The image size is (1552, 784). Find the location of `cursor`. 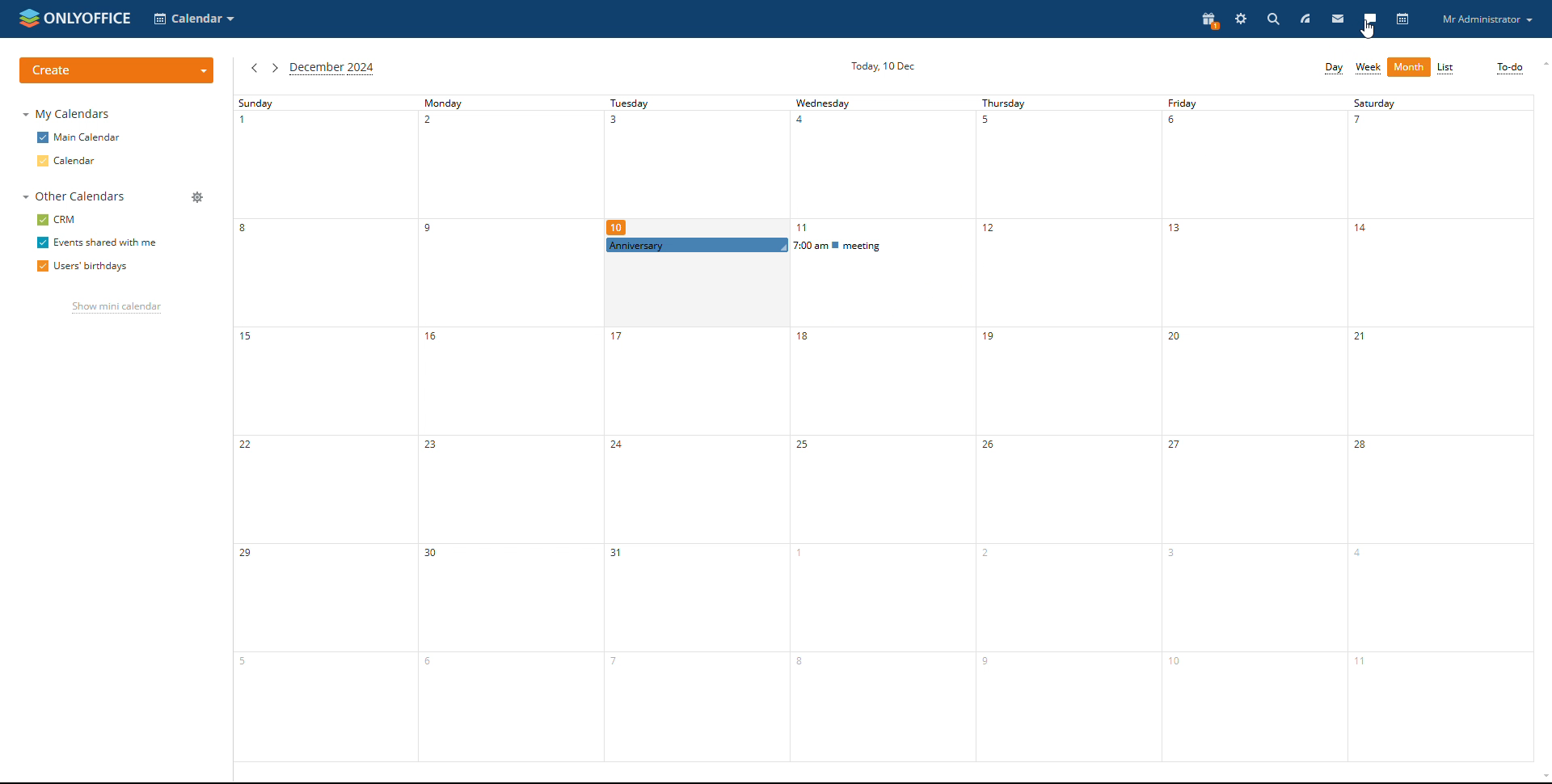

cursor is located at coordinates (1369, 30).